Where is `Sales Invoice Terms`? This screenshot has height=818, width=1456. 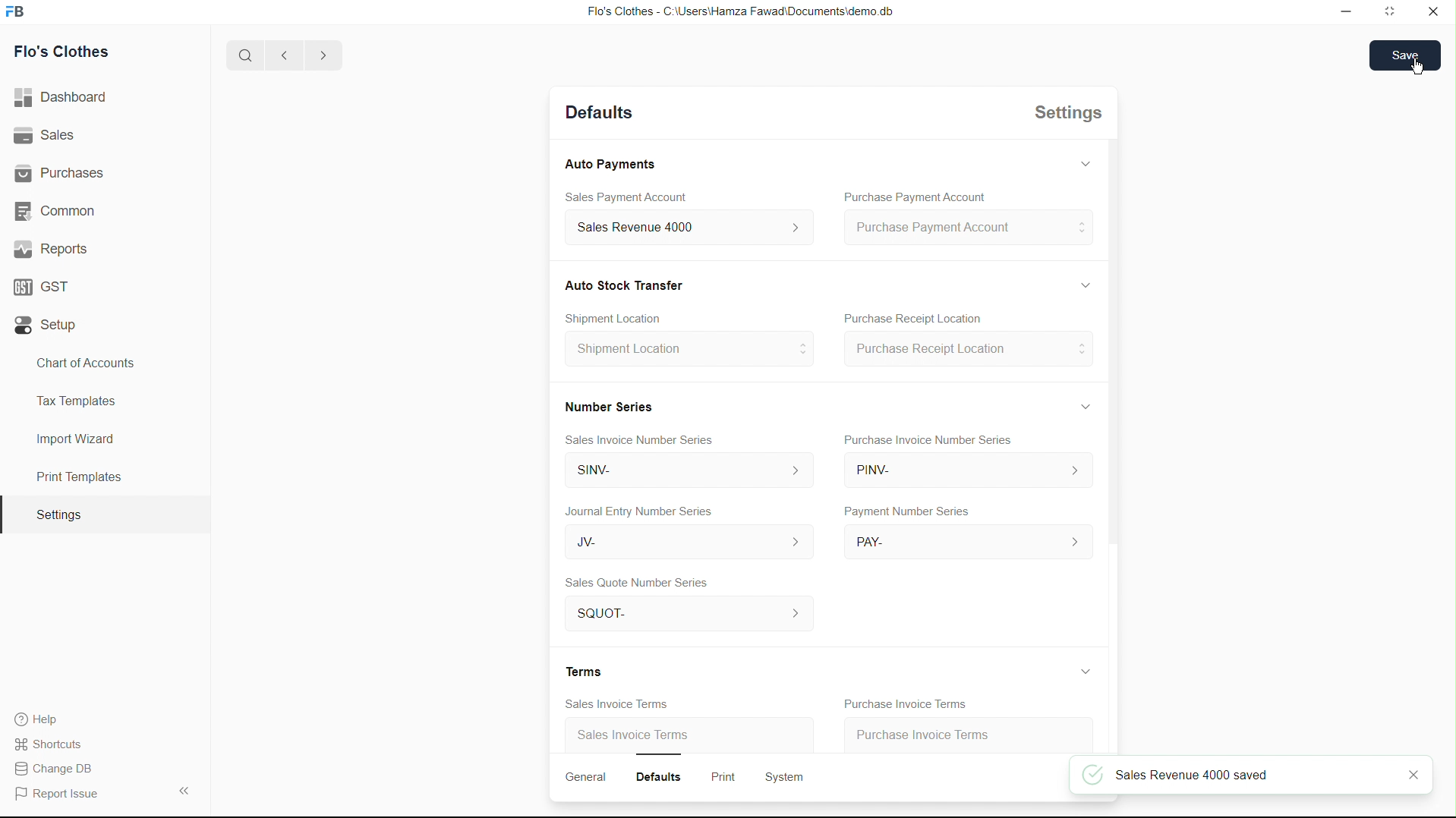
Sales Invoice Terms is located at coordinates (635, 732).